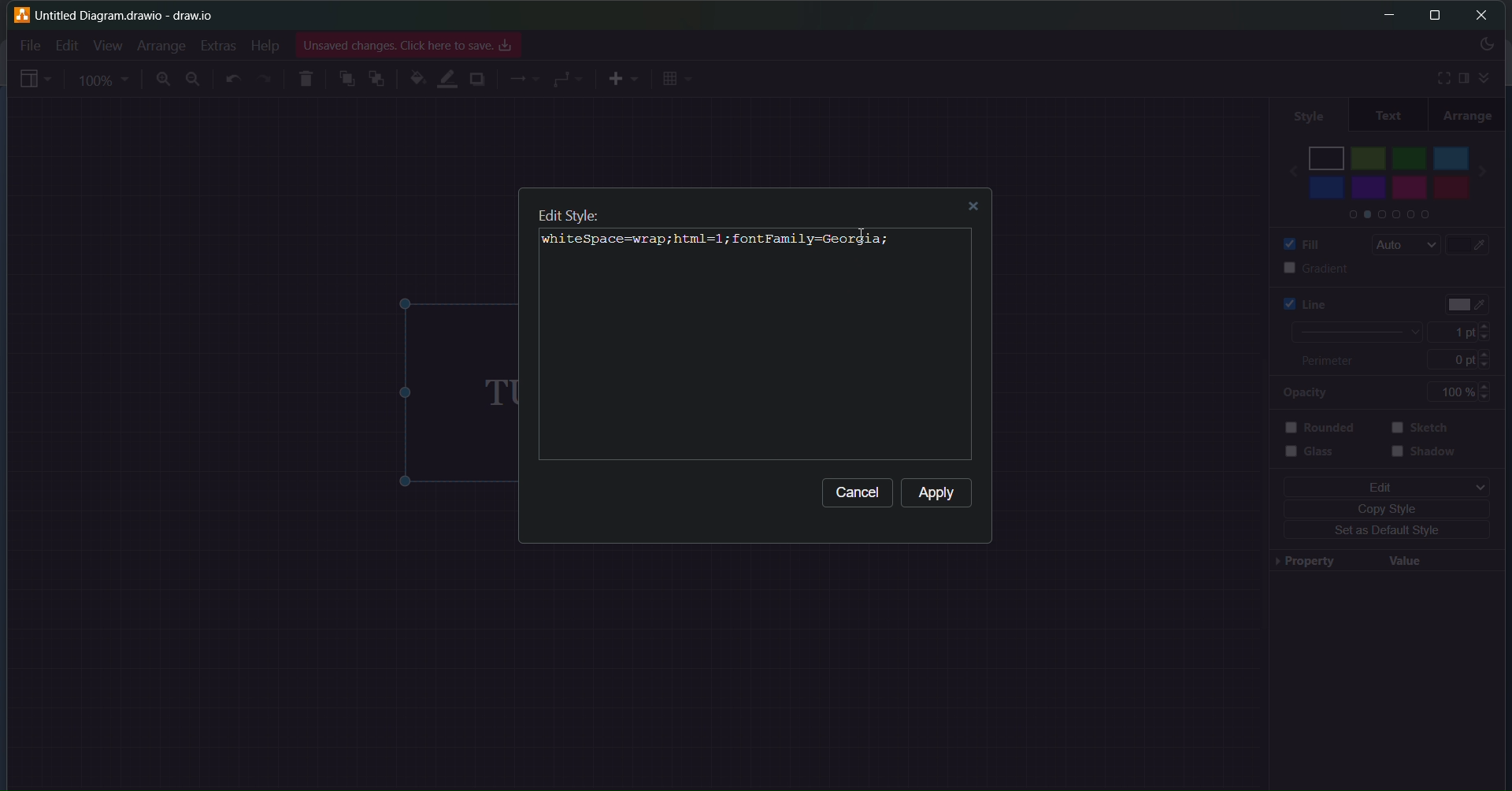  I want to click on pink, so click(1409, 192).